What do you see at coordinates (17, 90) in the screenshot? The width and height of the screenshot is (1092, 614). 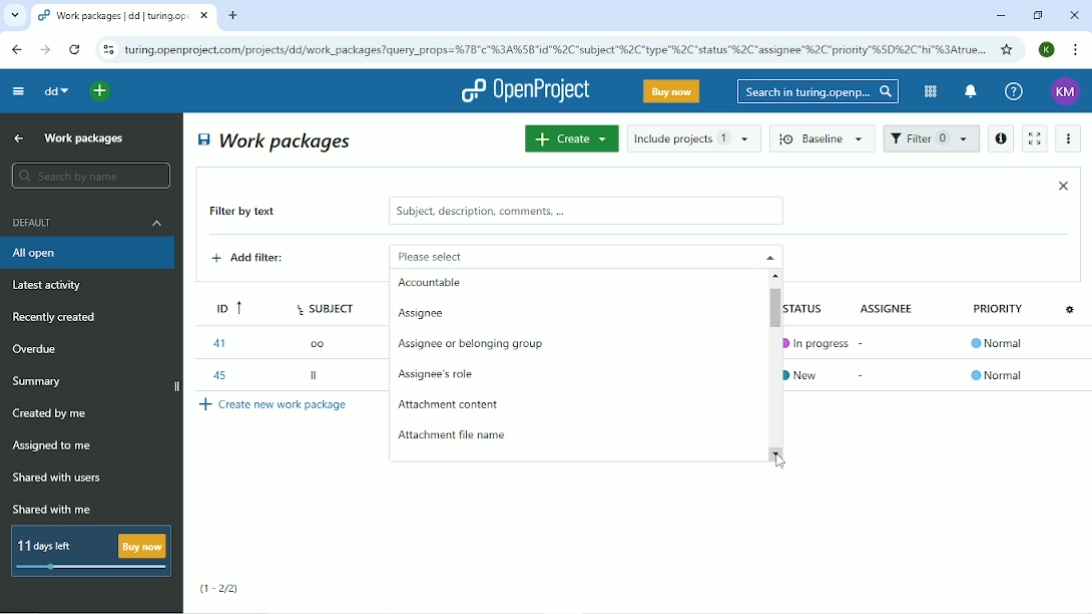 I see `Collapse project menu` at bounding box center [17, 90].